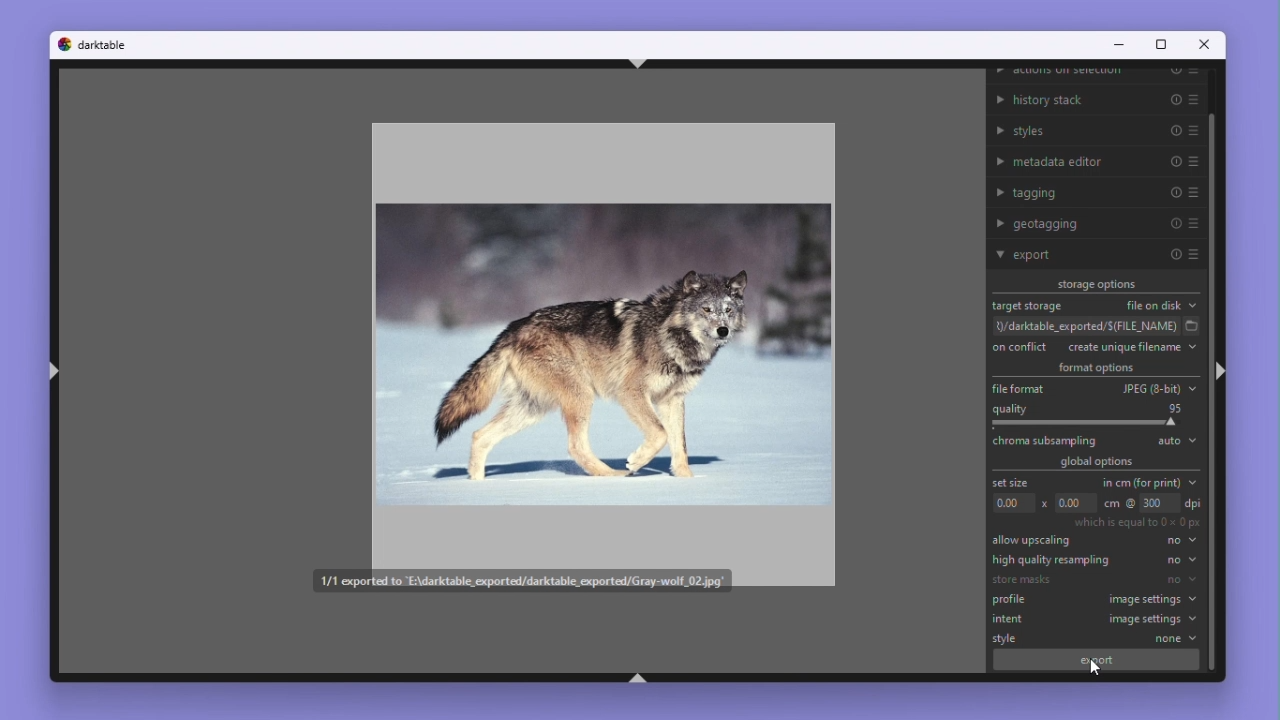 This screenshot has height=720, width=1280. I want to click on image settings, so click(1153, 598).